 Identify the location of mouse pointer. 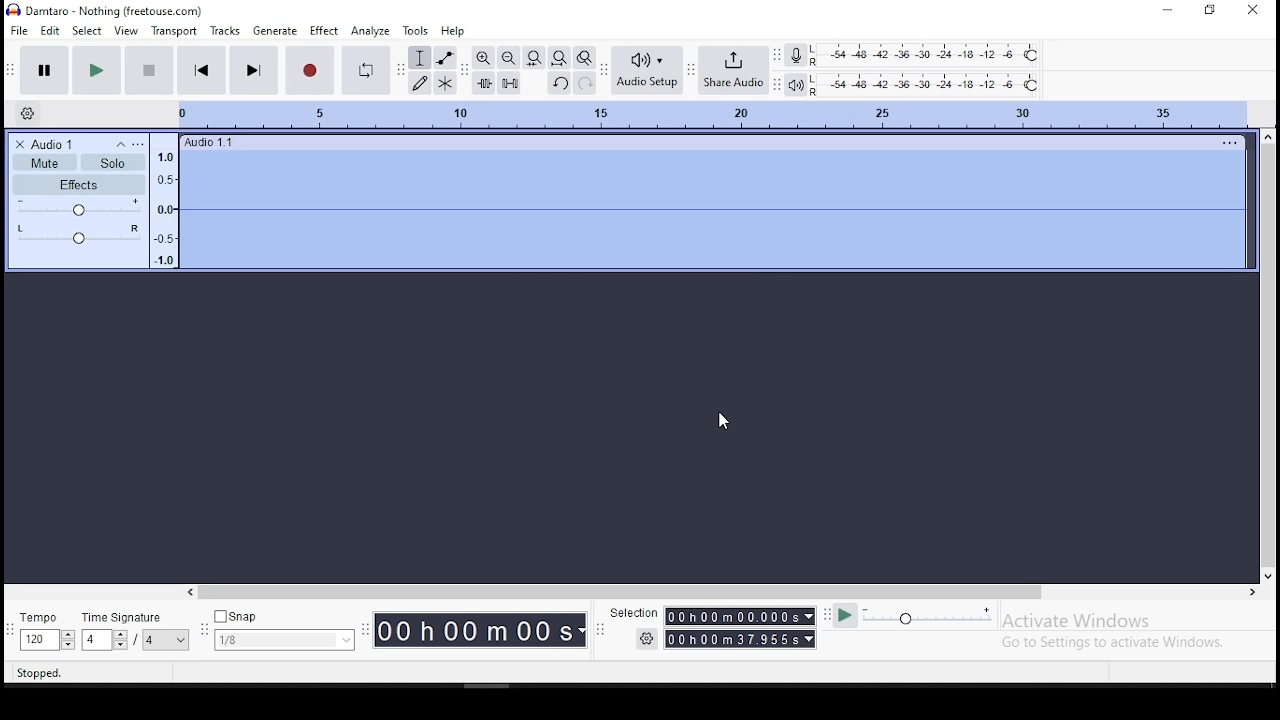
(722, 422).